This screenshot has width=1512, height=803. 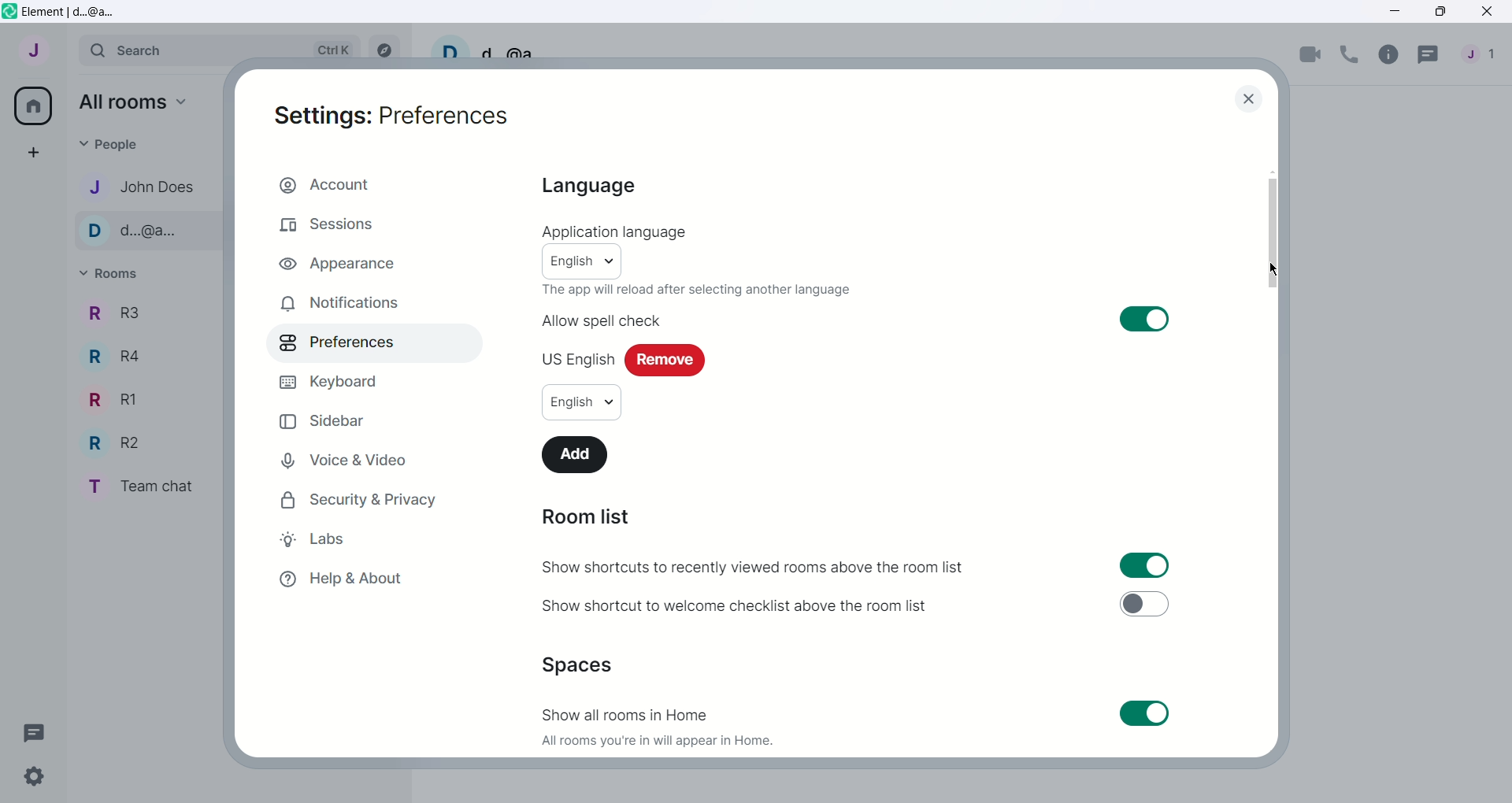 I want to click on Team chat - room name, so click(x=148, y=486).